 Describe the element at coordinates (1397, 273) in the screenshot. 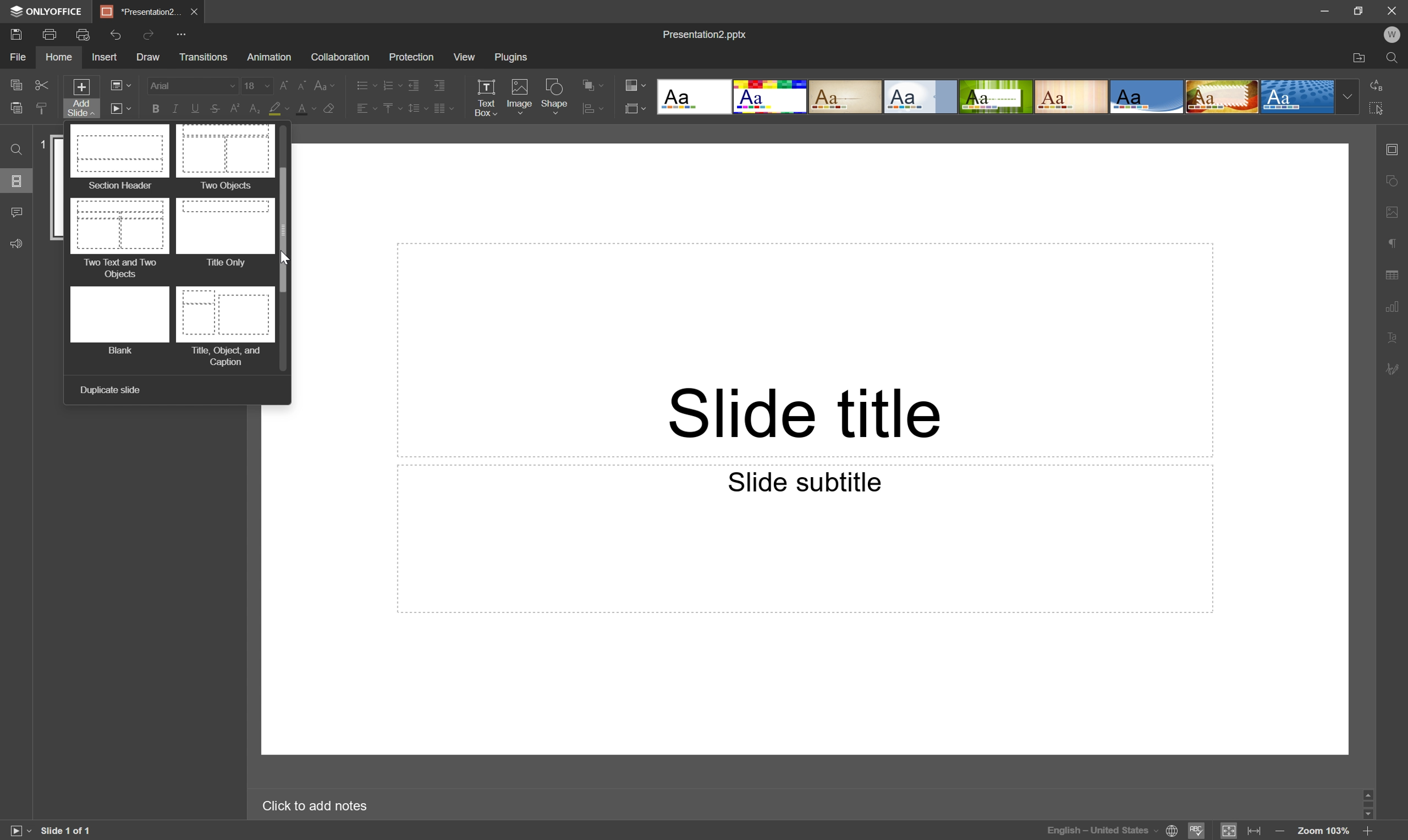

I see `Table settings` at that location.